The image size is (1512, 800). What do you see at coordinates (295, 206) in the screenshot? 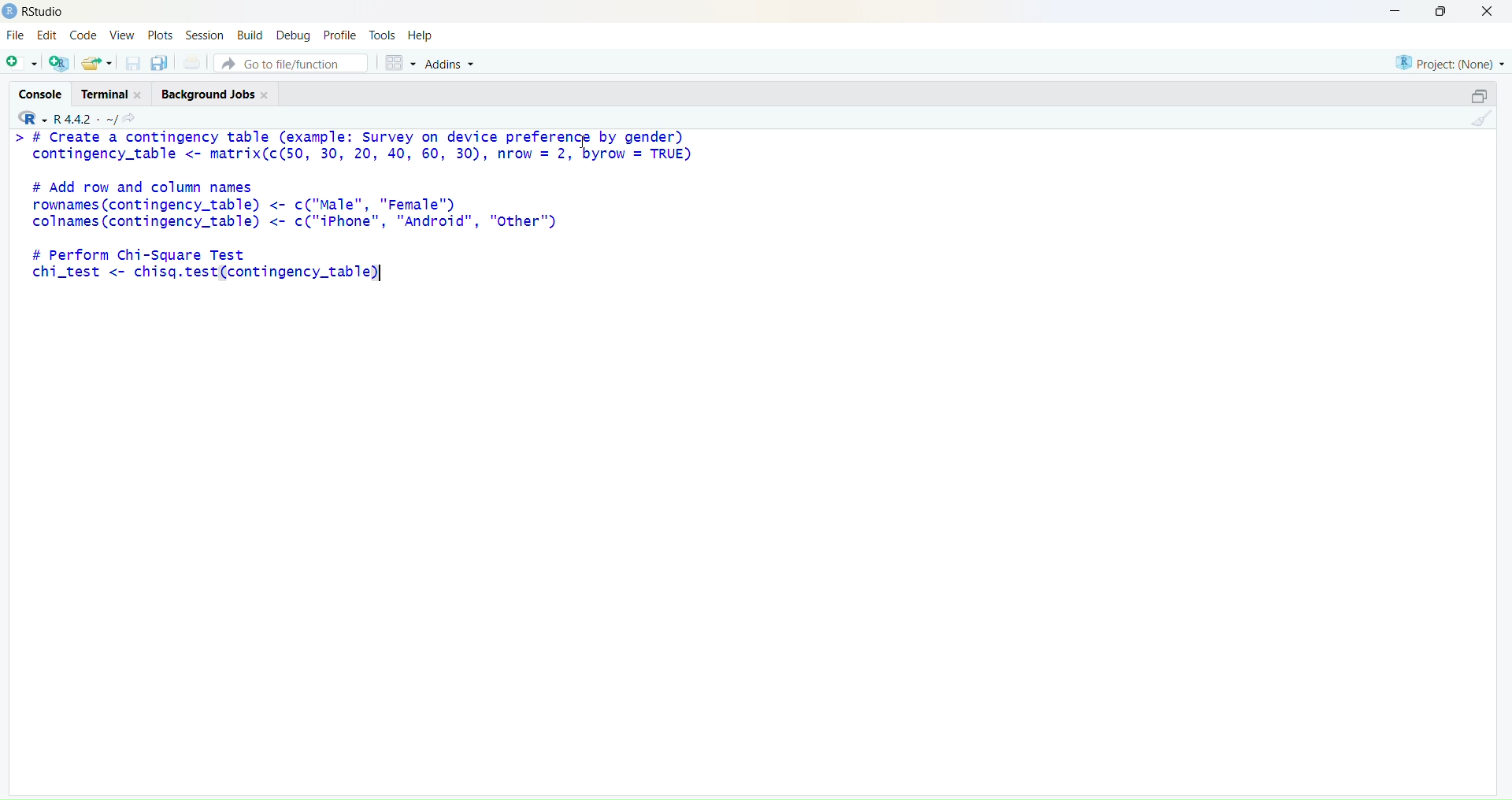
I see `# Add row and column names
rownames (contingency_table) <- c("Male", "Female")
colnames (contingency_table) <- c("iPhone", "Android", "Other")` at bounding box center [295, 206].